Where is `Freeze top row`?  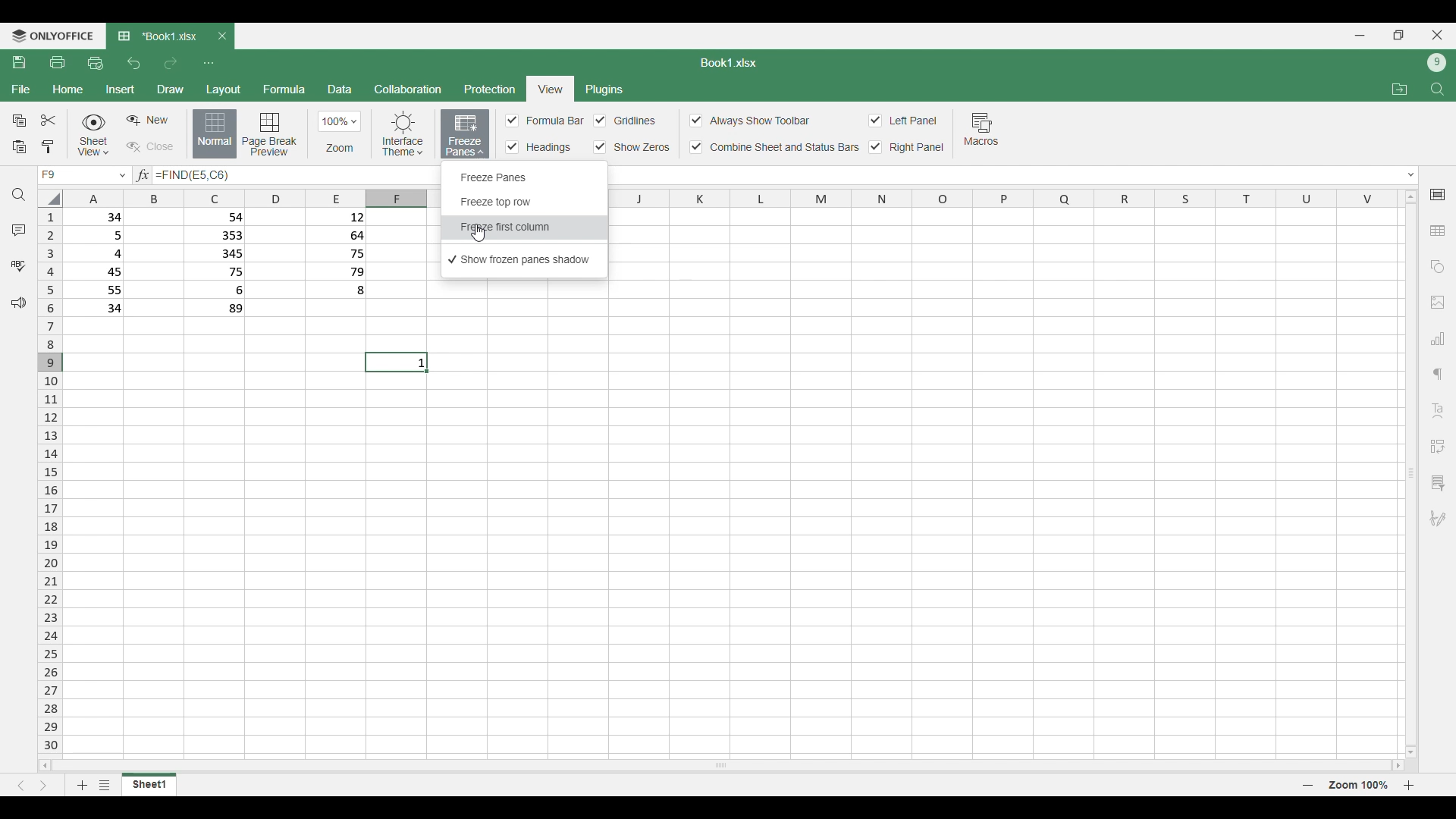
Freeze top row is located at coordinates (525, 202).